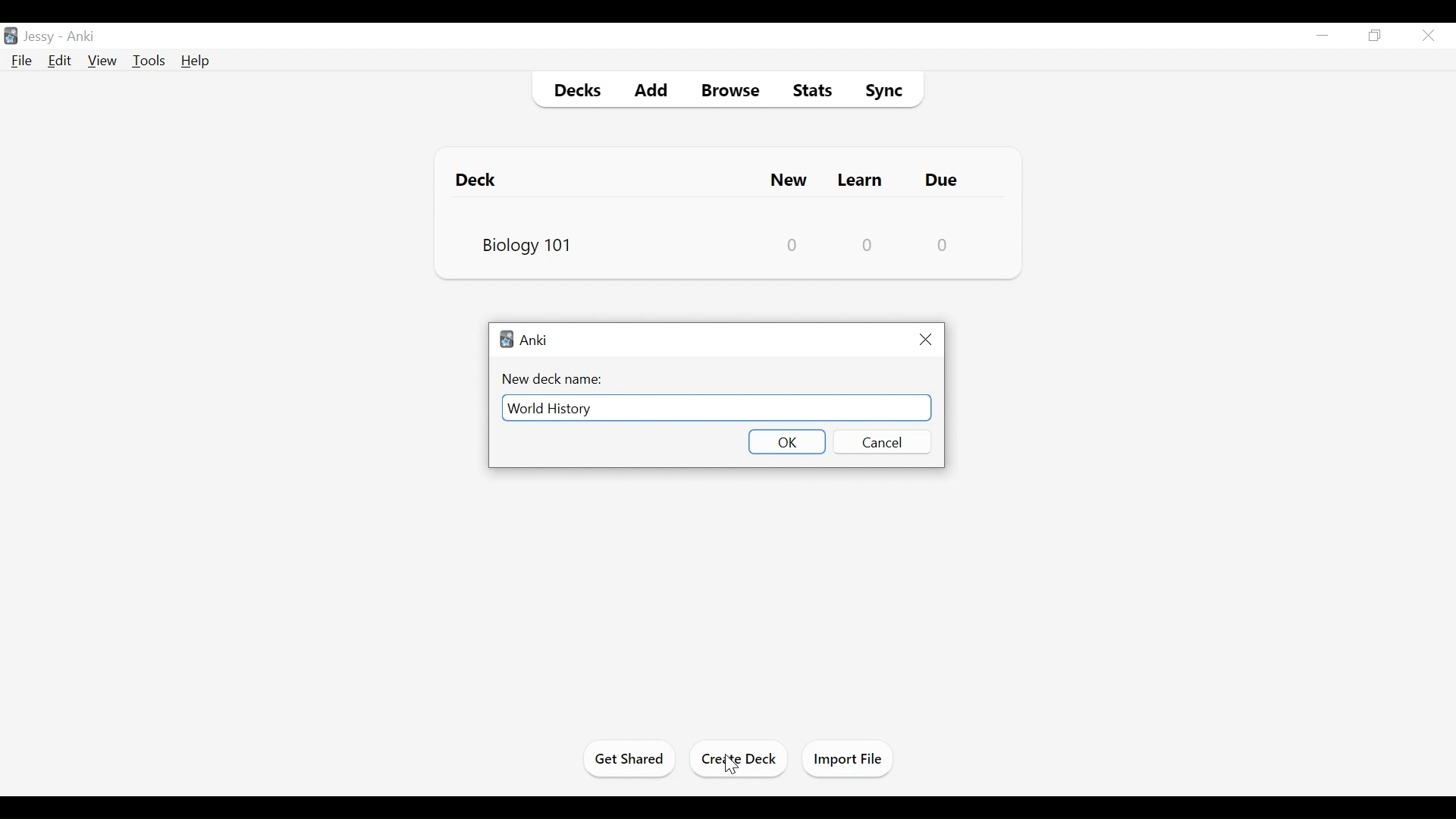 The height and width of the screenshot is (819, 1456). Describe the element at coordinates (848, 758) in the screenshot. I see `Import Files` at that location.